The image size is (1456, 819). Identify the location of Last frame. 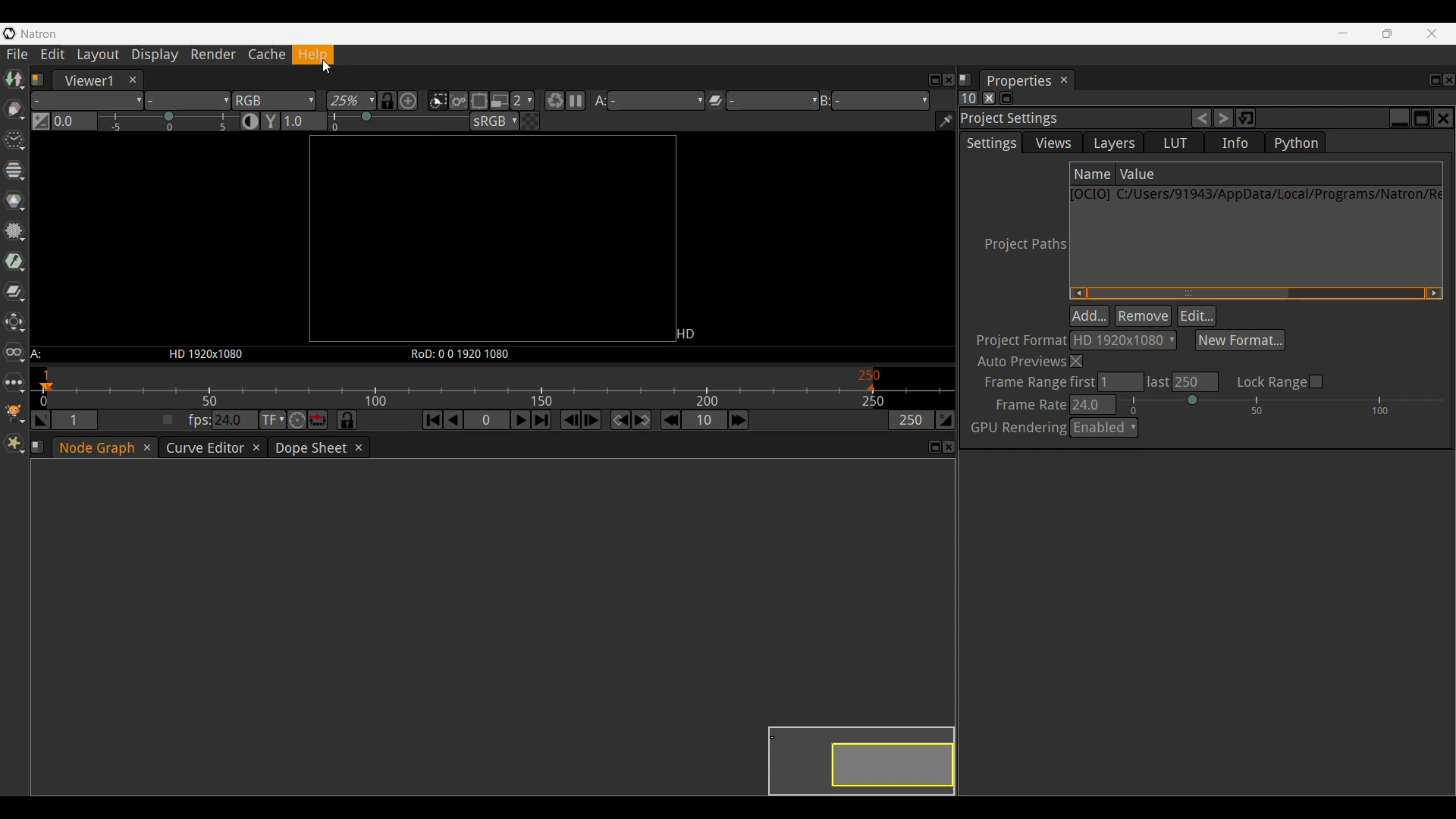
(541, 420).